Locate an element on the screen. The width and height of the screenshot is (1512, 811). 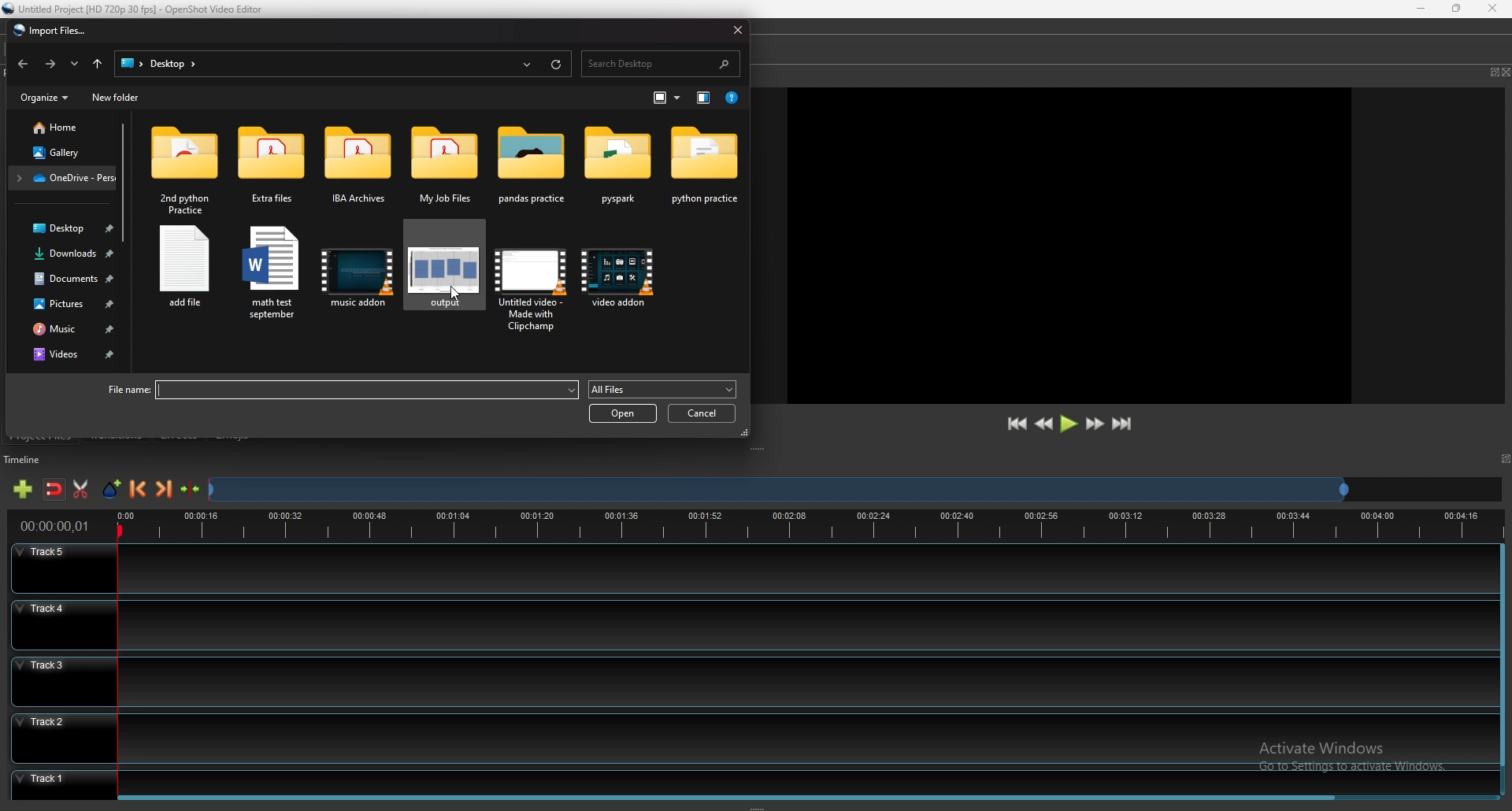
scroll bar is located at coordinates (1503, 671).